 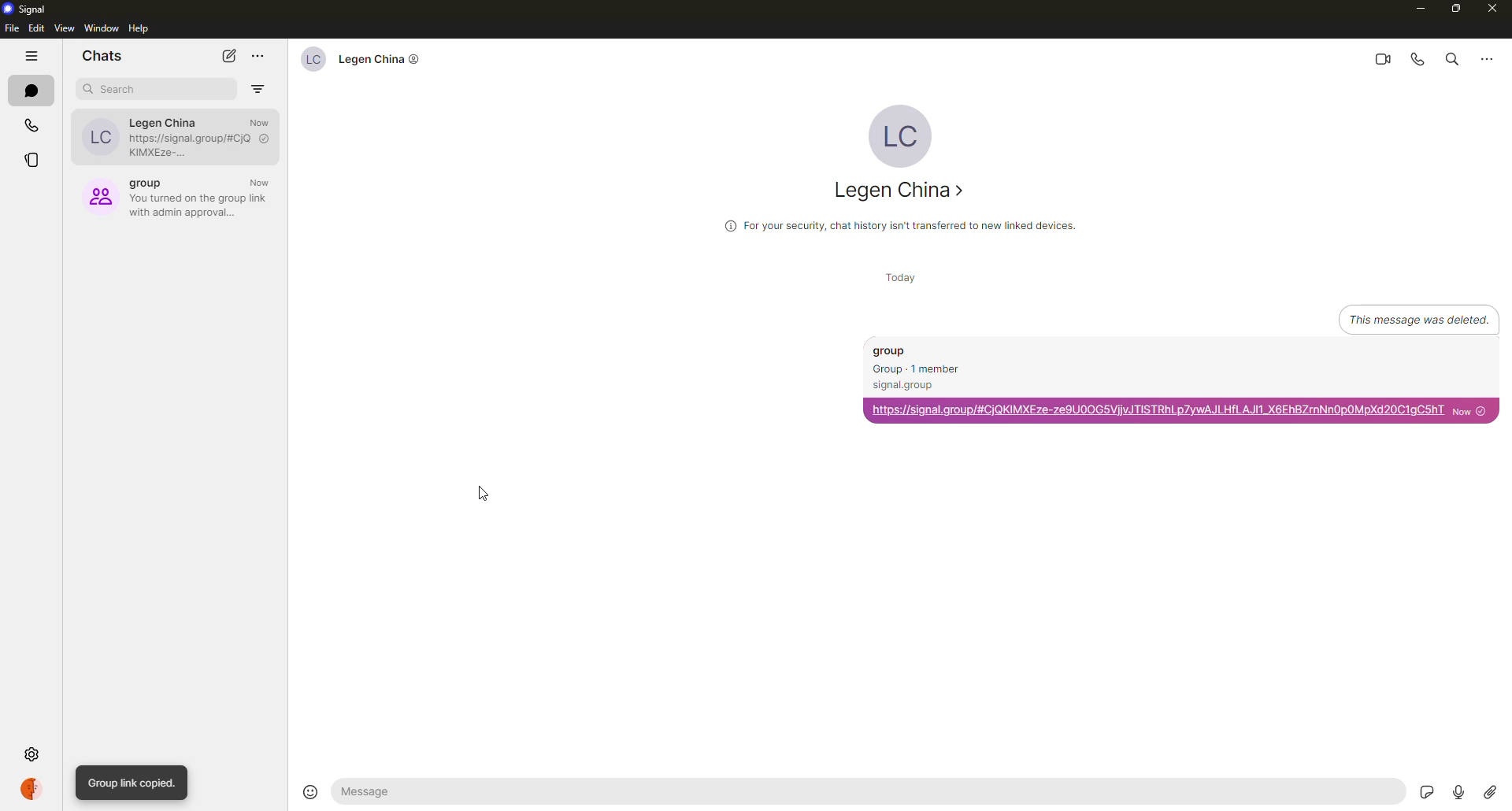 I want to click on stickers, so click(x=1427, y=791).